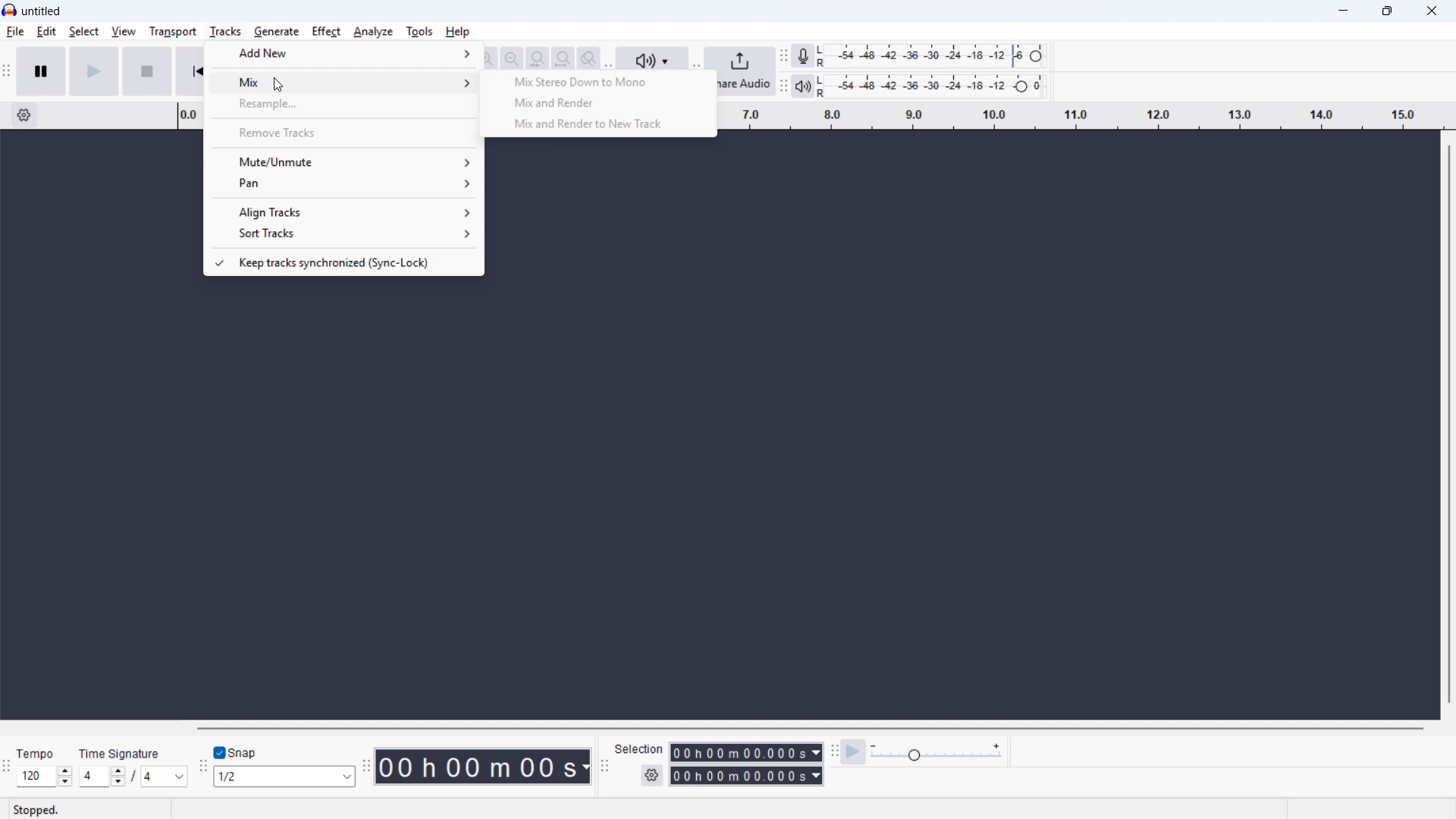  What do you see at coordinates (589, 58) in the screenshot?
I see `Toggle zoom ` at bounding box center [589, 58].